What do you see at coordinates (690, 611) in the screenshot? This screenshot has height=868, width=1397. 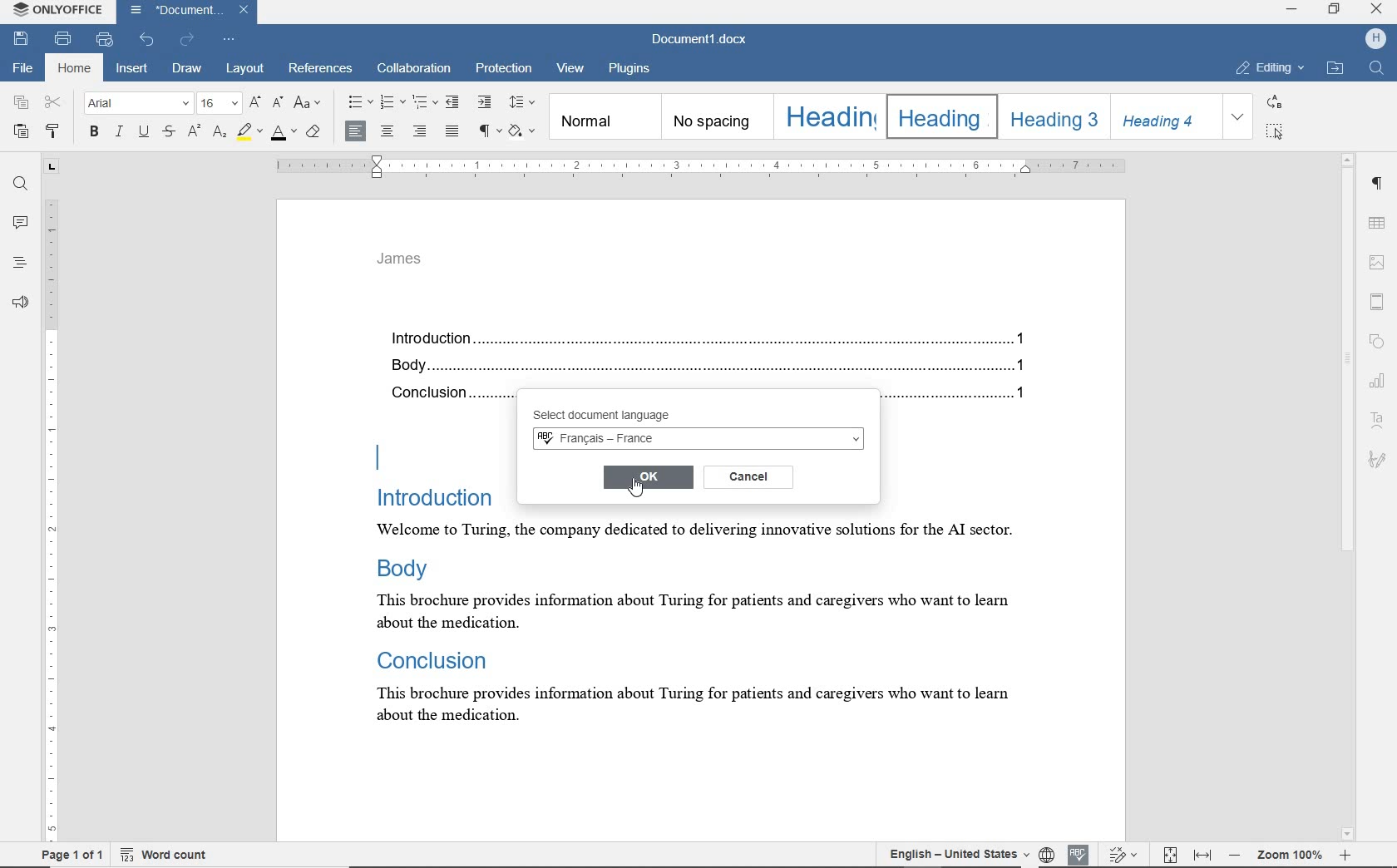 I see `this brochure provides information about Turing for patients and caregivers who want to learn about the medication` at bounding box center [690, 611].